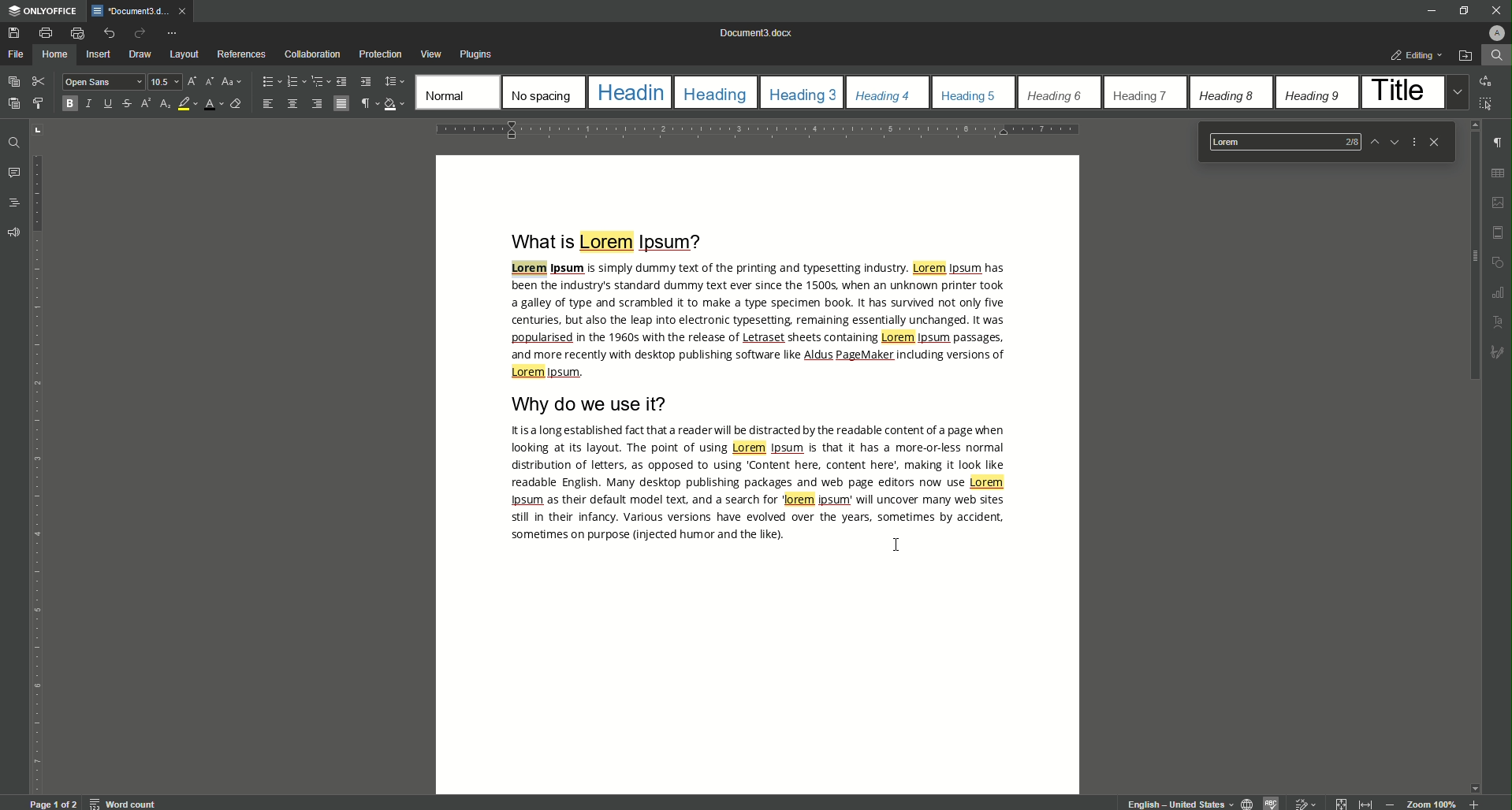  What do you see at coordinates (139, 12) in the screenshot?
I see `Document )` at bounding box center [139, 12].